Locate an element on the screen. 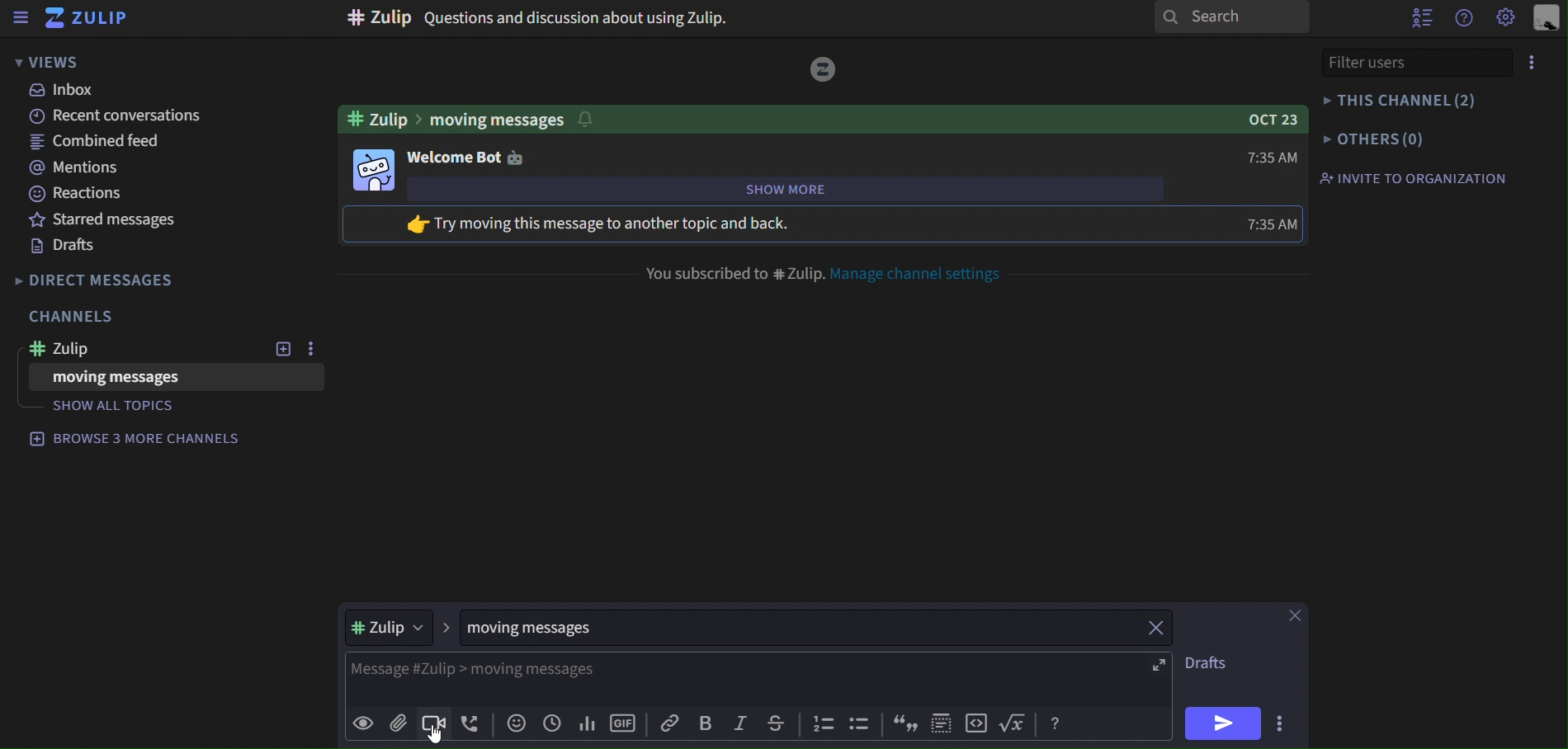 The height and width of the screenshot is (749, 1568). send is located at coordinates (1219, 723).